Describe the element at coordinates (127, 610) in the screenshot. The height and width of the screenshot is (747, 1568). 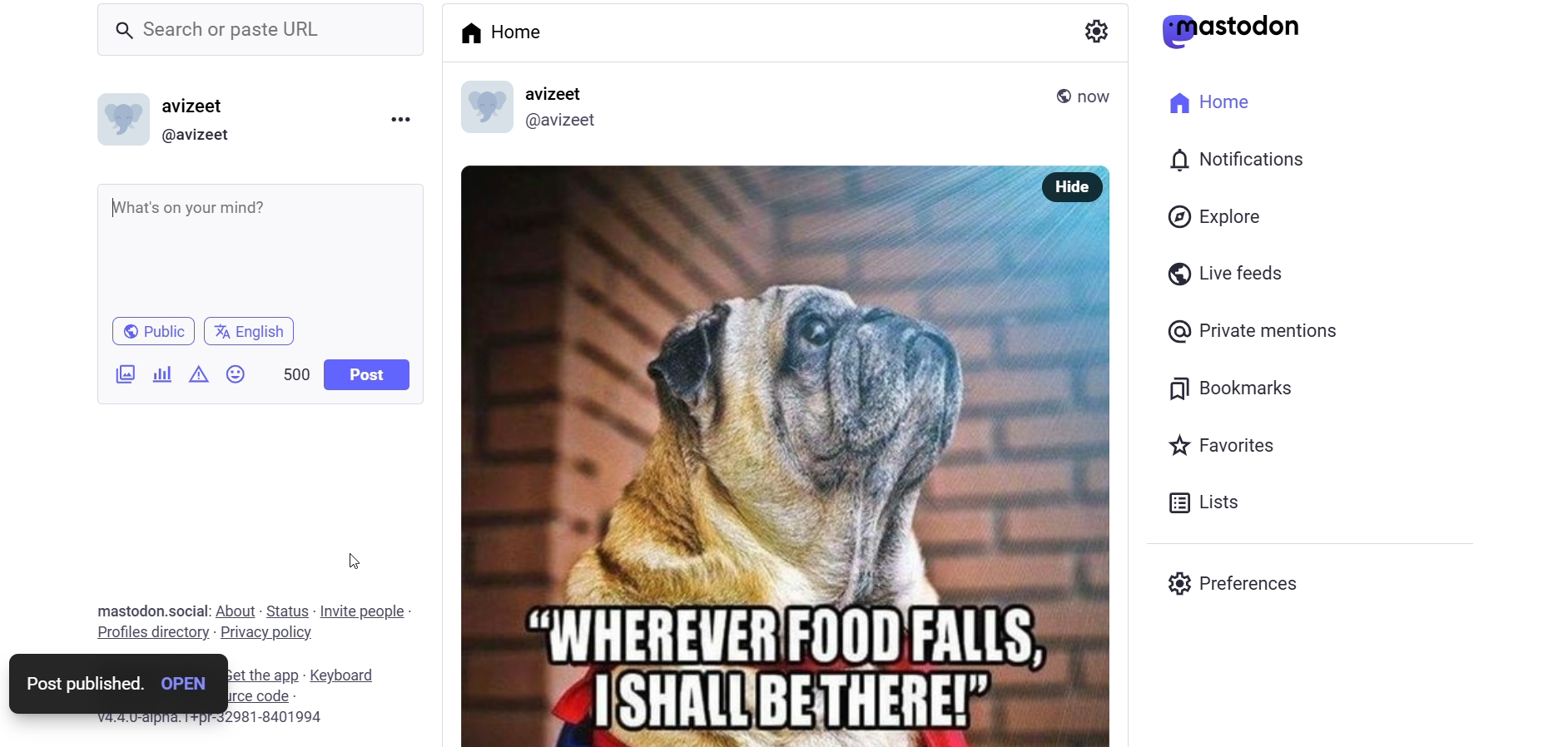
I see `text` at that location.